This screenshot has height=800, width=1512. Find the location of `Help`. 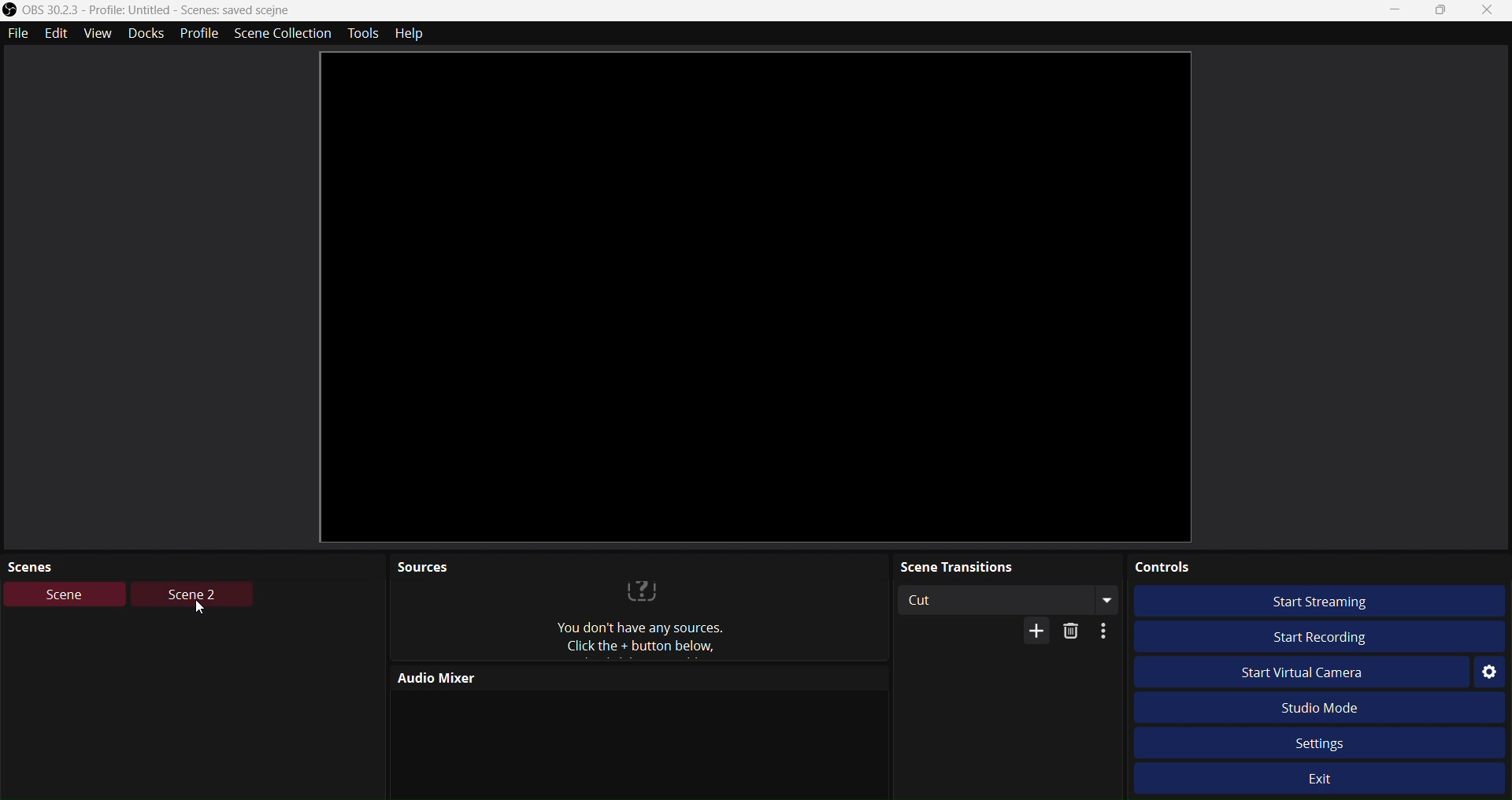

Help is located at coordinates (413, 32).